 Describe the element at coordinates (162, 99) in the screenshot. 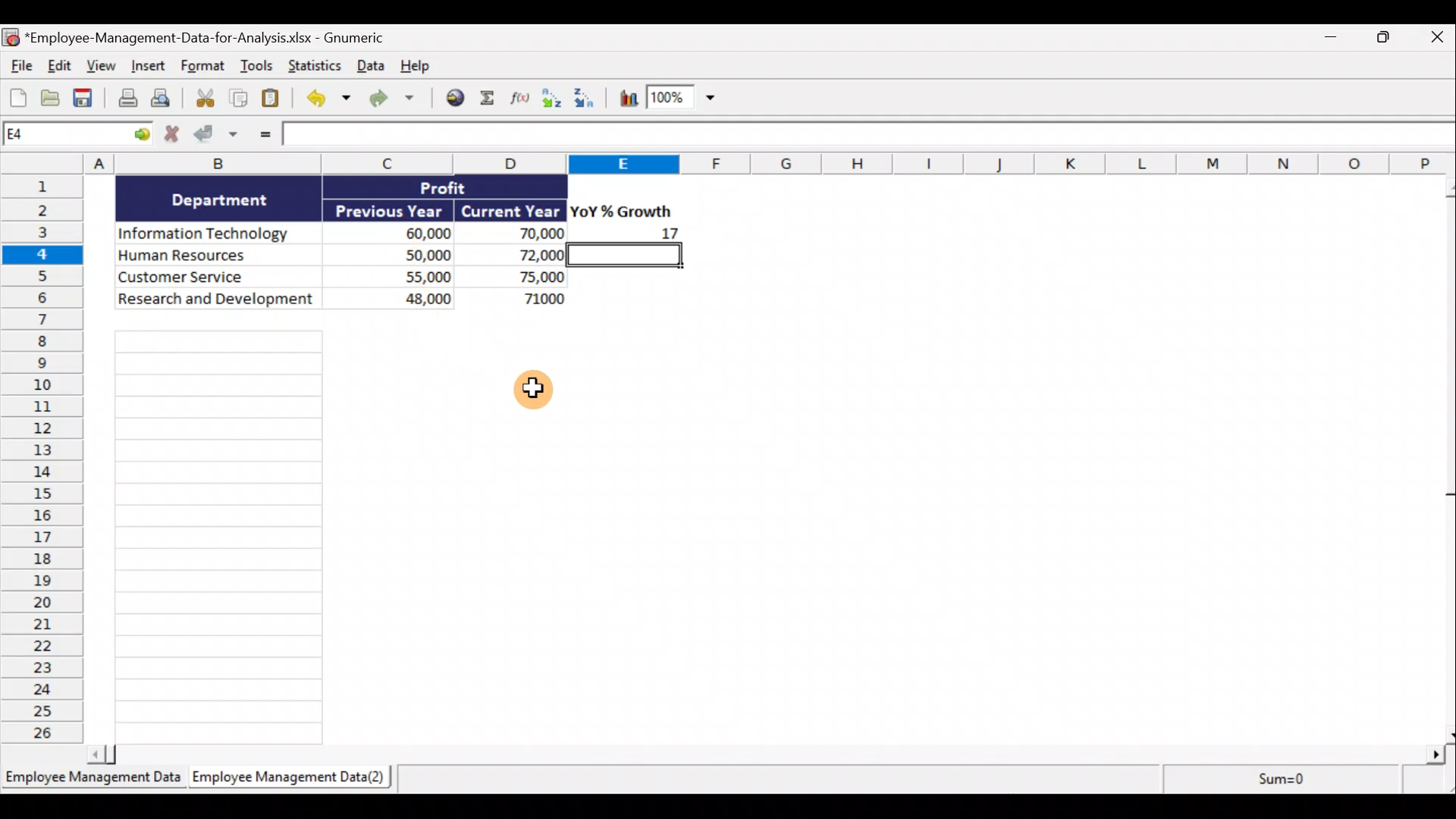

I see `Print preview` at that location.